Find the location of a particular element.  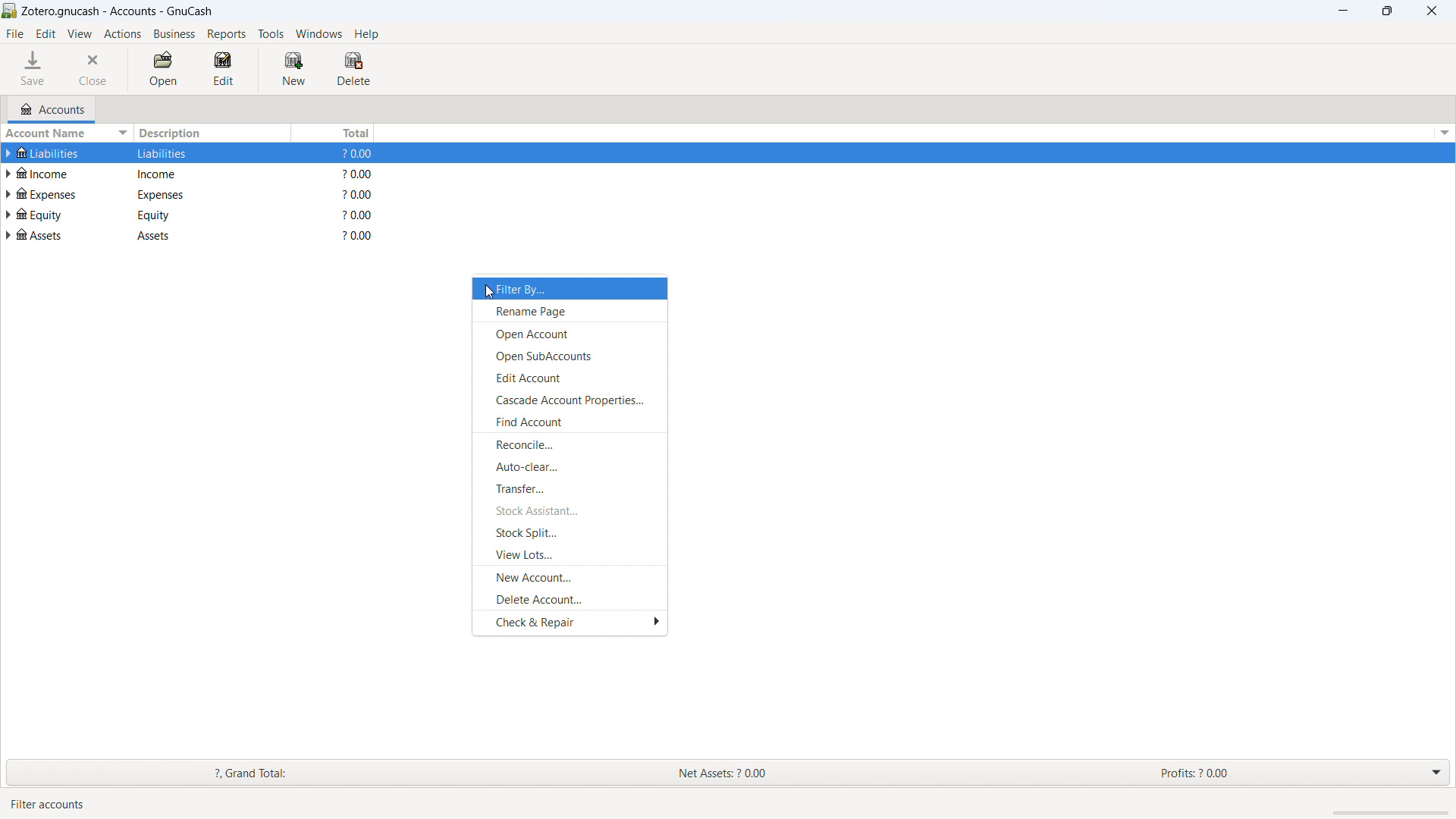

edit is located at coordinates (227, 69).